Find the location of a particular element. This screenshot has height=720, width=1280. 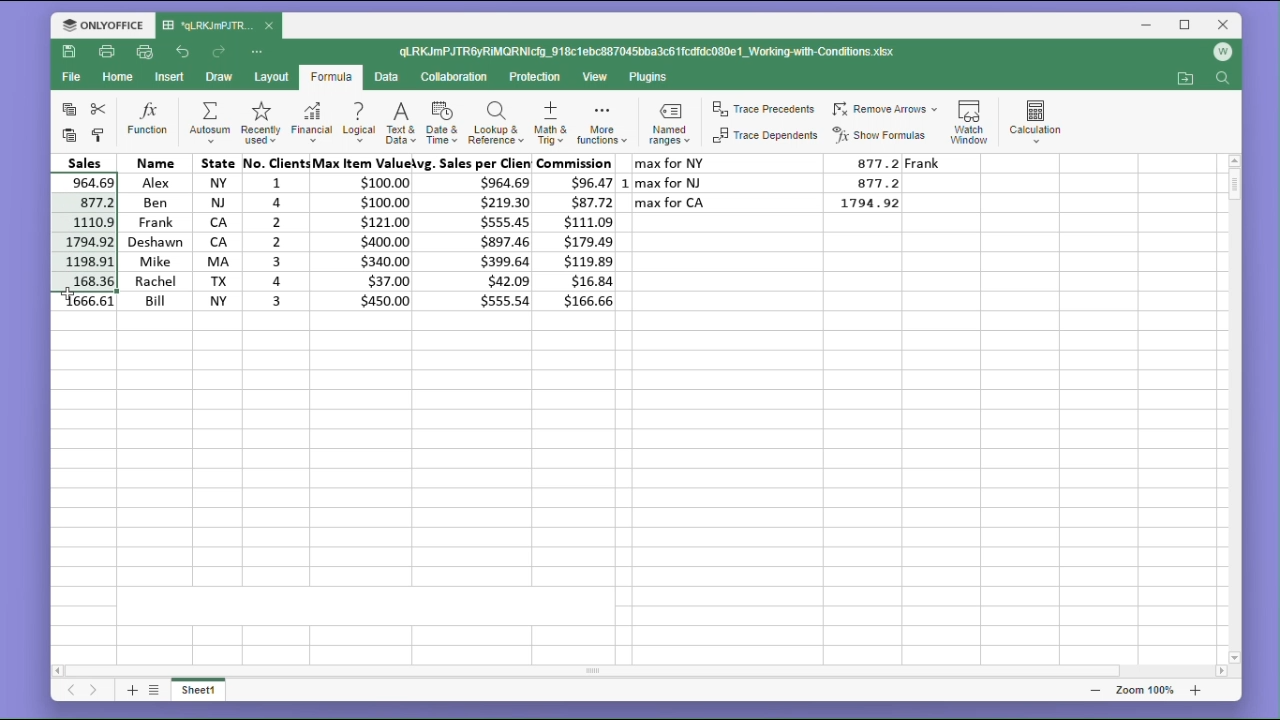

redo is located at coordinates (221, 52).